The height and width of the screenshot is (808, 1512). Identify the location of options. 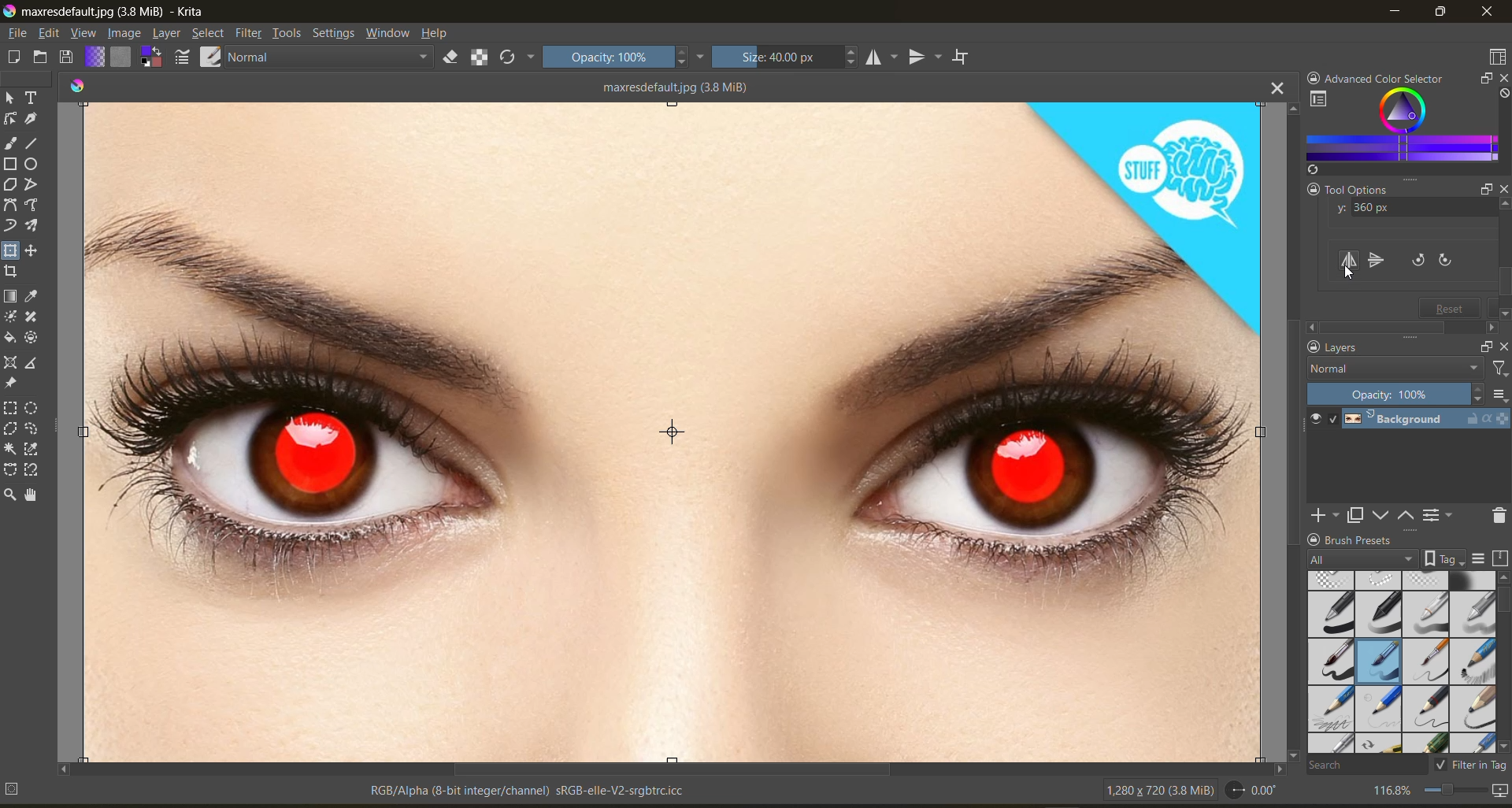
(1499, 395).